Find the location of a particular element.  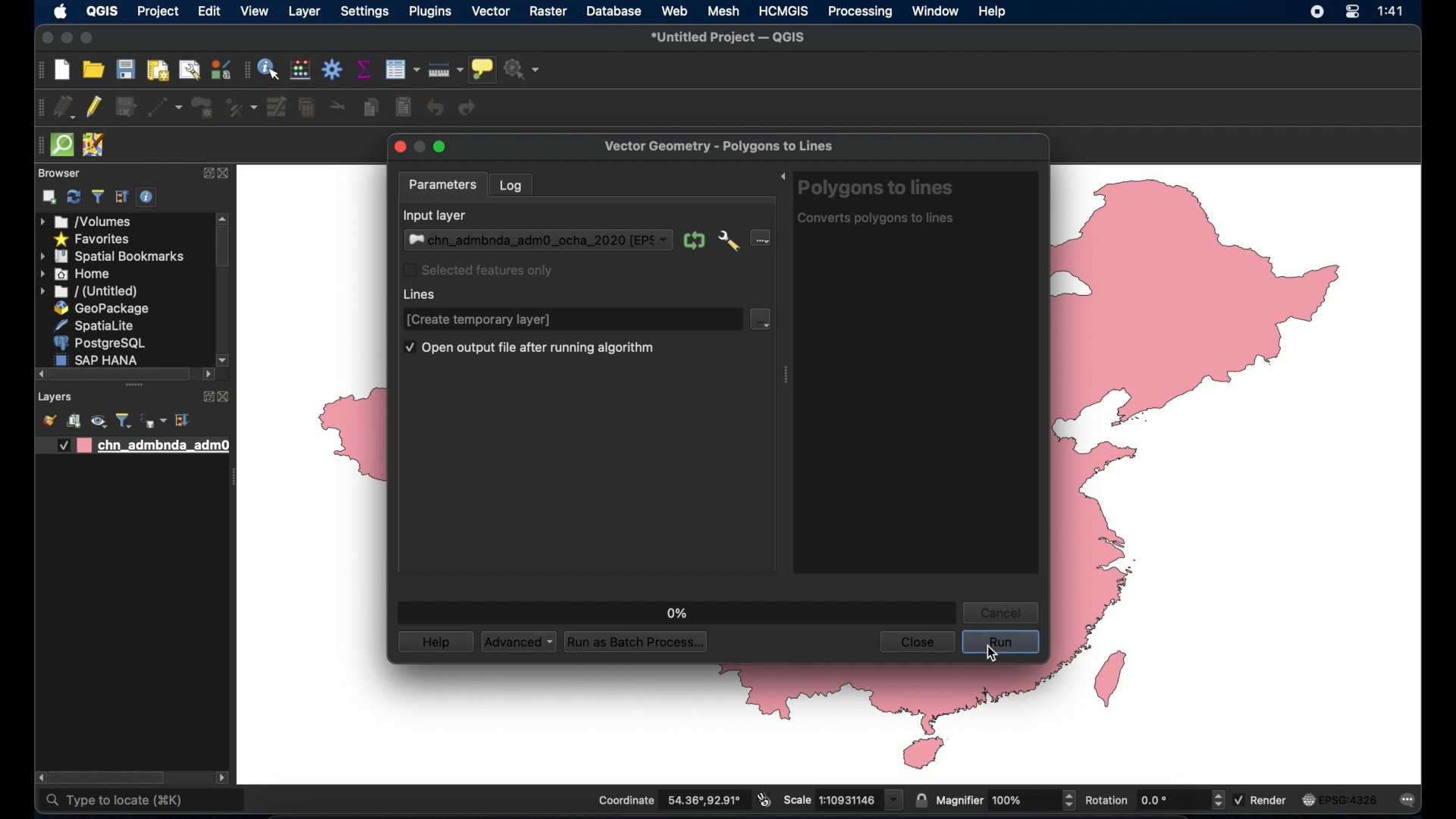

layer 1 is located at coordinates (133, 446).